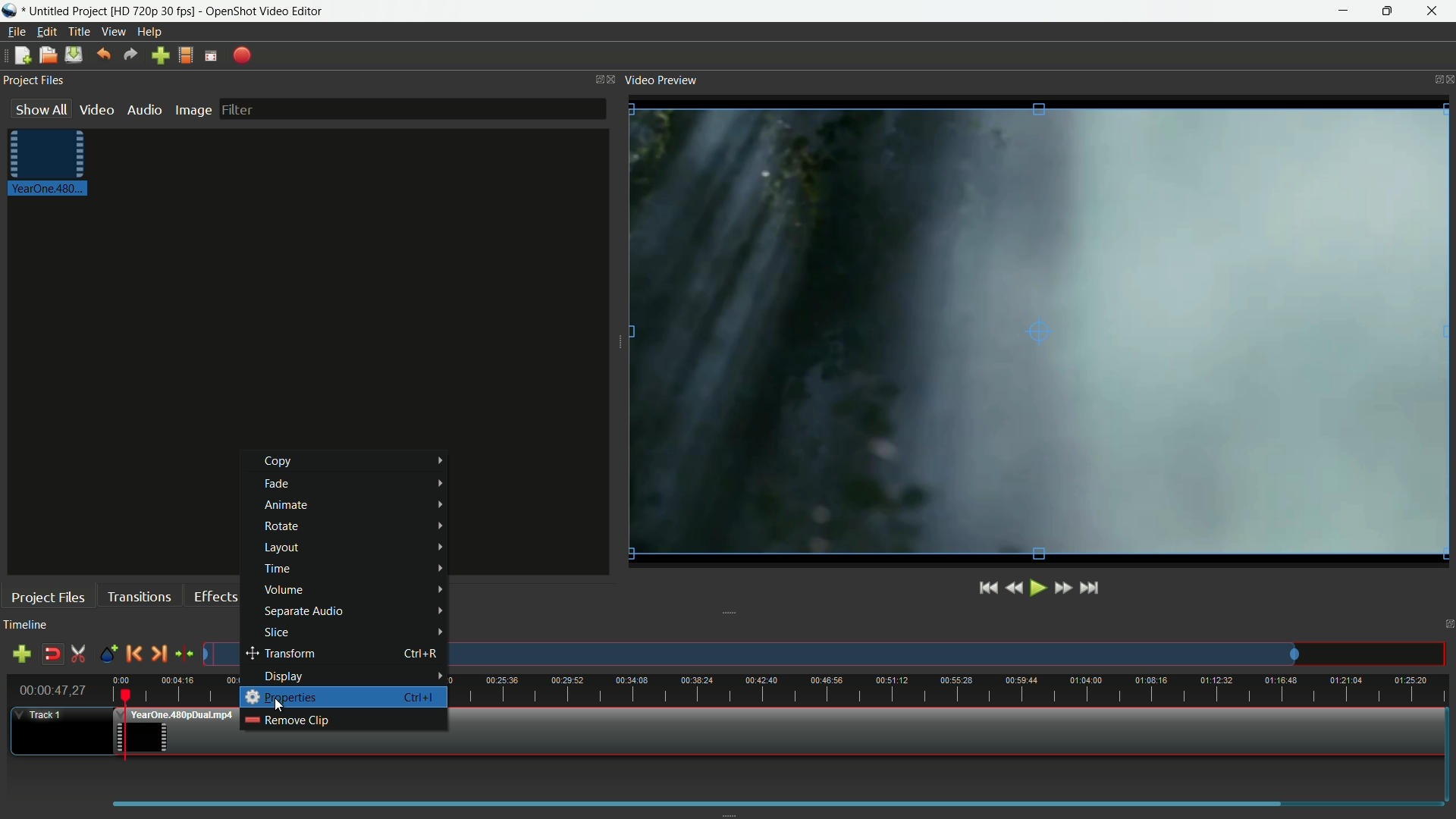  I want to click on previous marker, so click(133, 654).